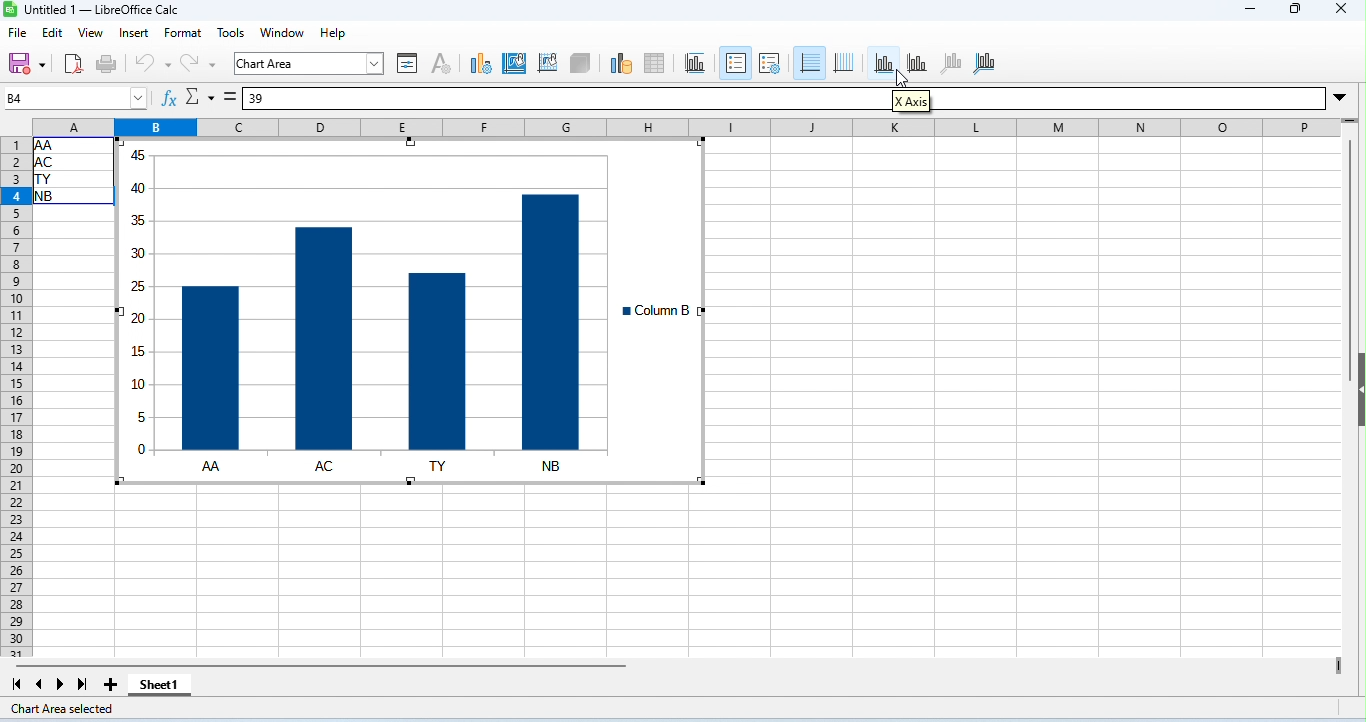  Describe the element at coordinates (987, 63) in the screenshot. I see `all axis` at that location.